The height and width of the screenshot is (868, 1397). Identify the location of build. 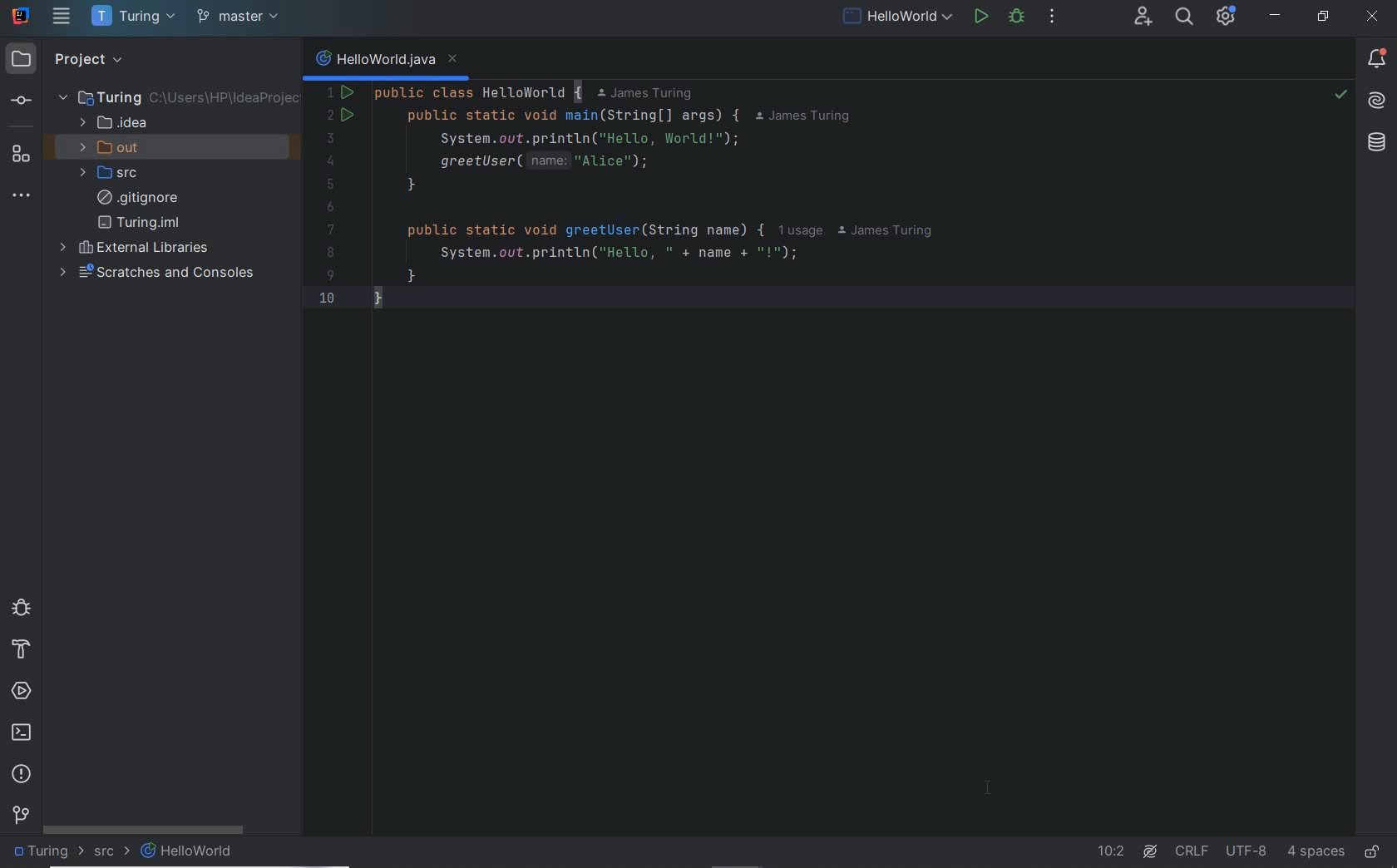
(19, 650).